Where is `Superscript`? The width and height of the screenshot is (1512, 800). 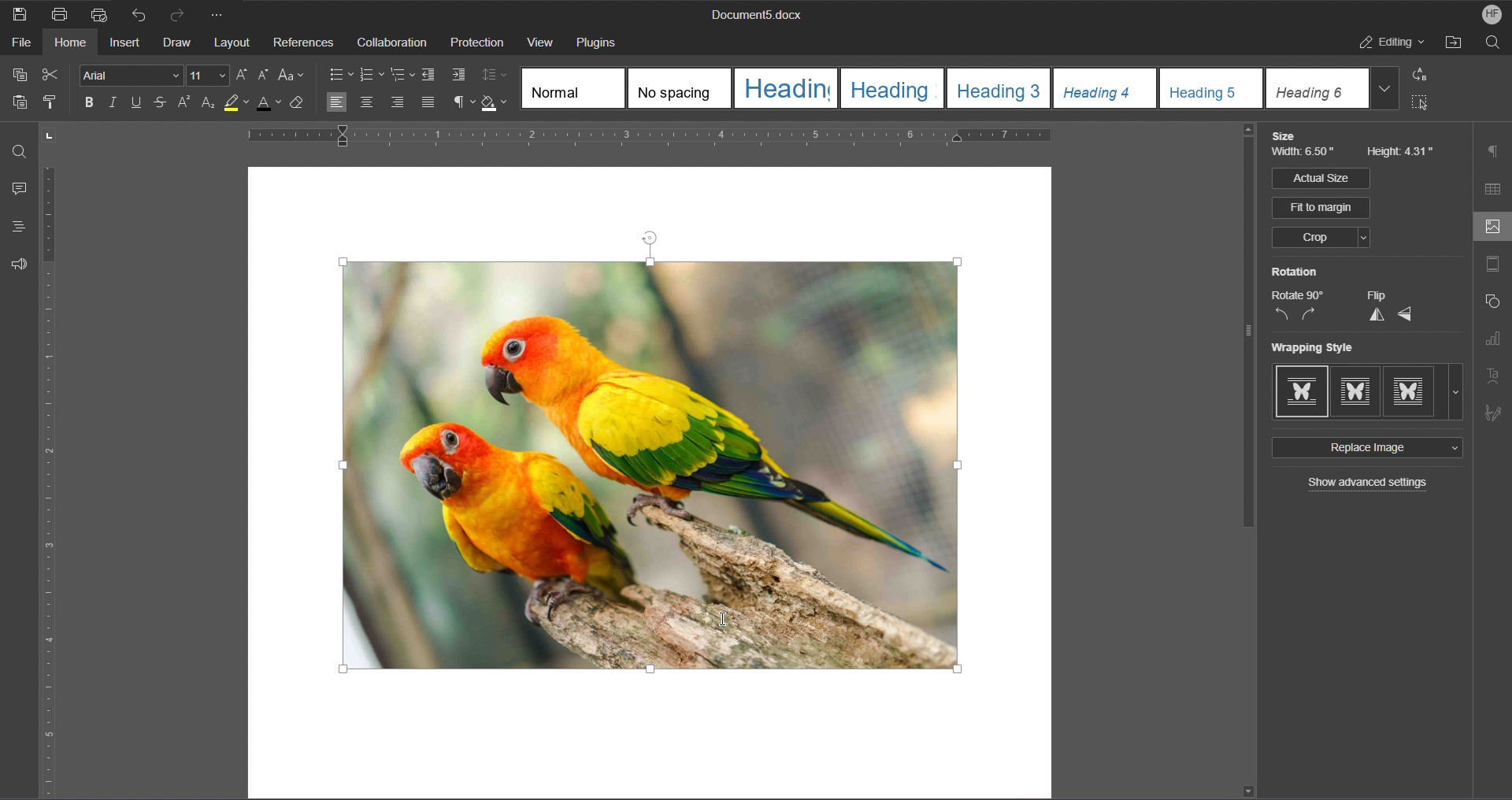
Superscript is located at coordinates (184, 105).